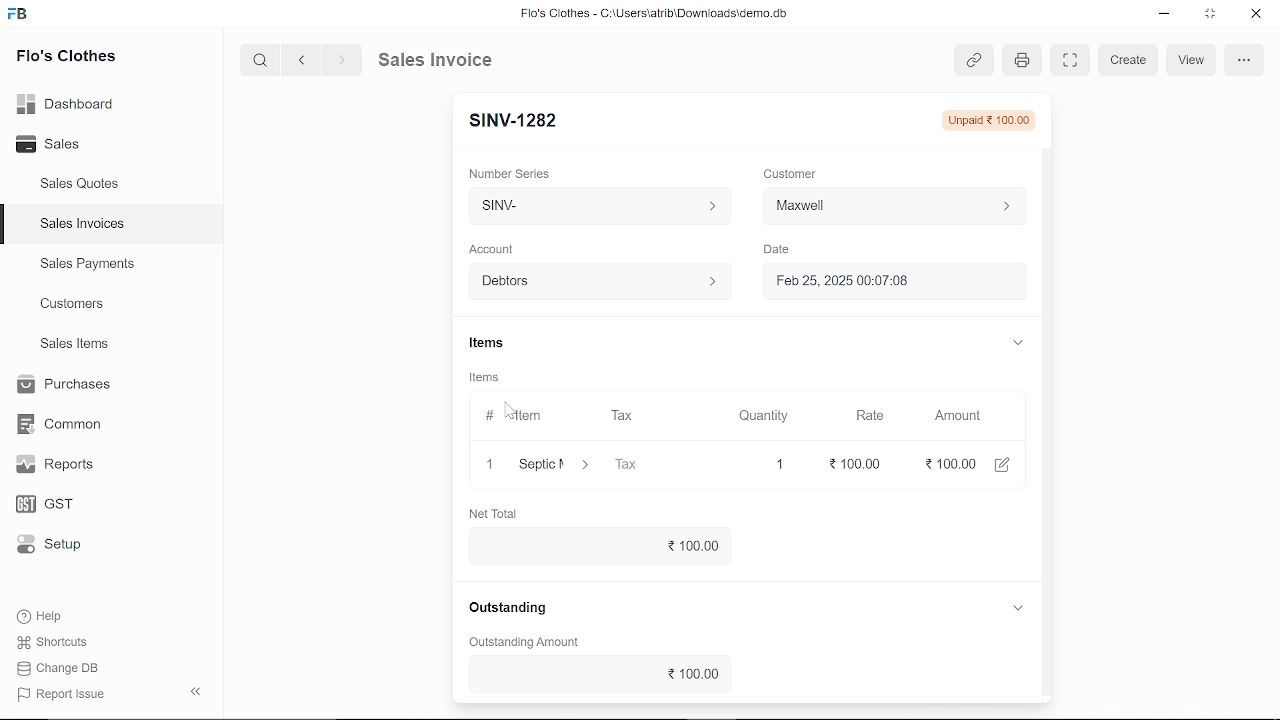 The image size is (1280, 720). Describe the element at coordinates (602, 674) in the screenshot. I see `2100.00` at that location.